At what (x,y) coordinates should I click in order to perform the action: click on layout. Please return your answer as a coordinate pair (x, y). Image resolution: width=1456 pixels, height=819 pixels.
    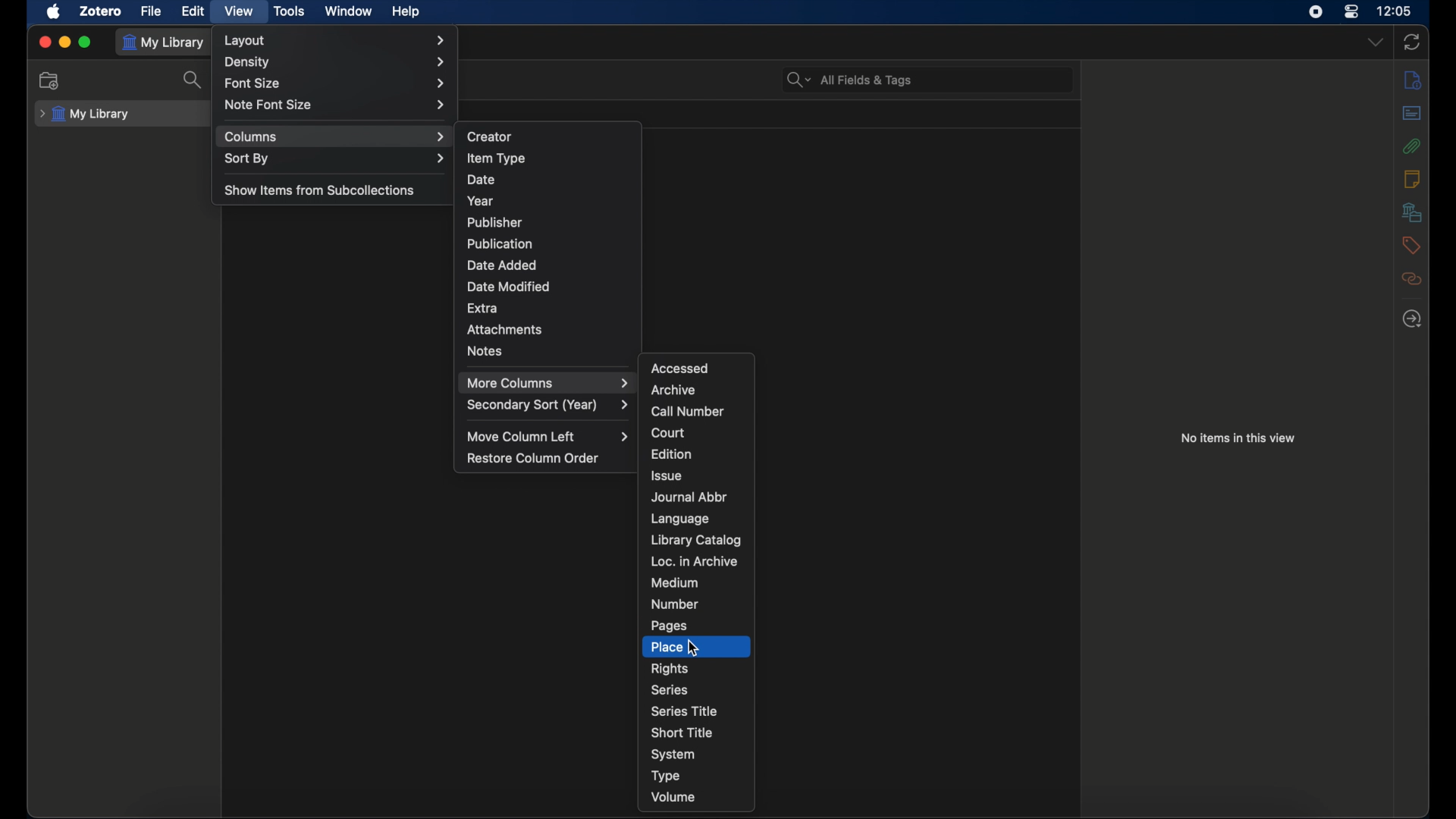
    Looking at the image, I should click on (334, 40).